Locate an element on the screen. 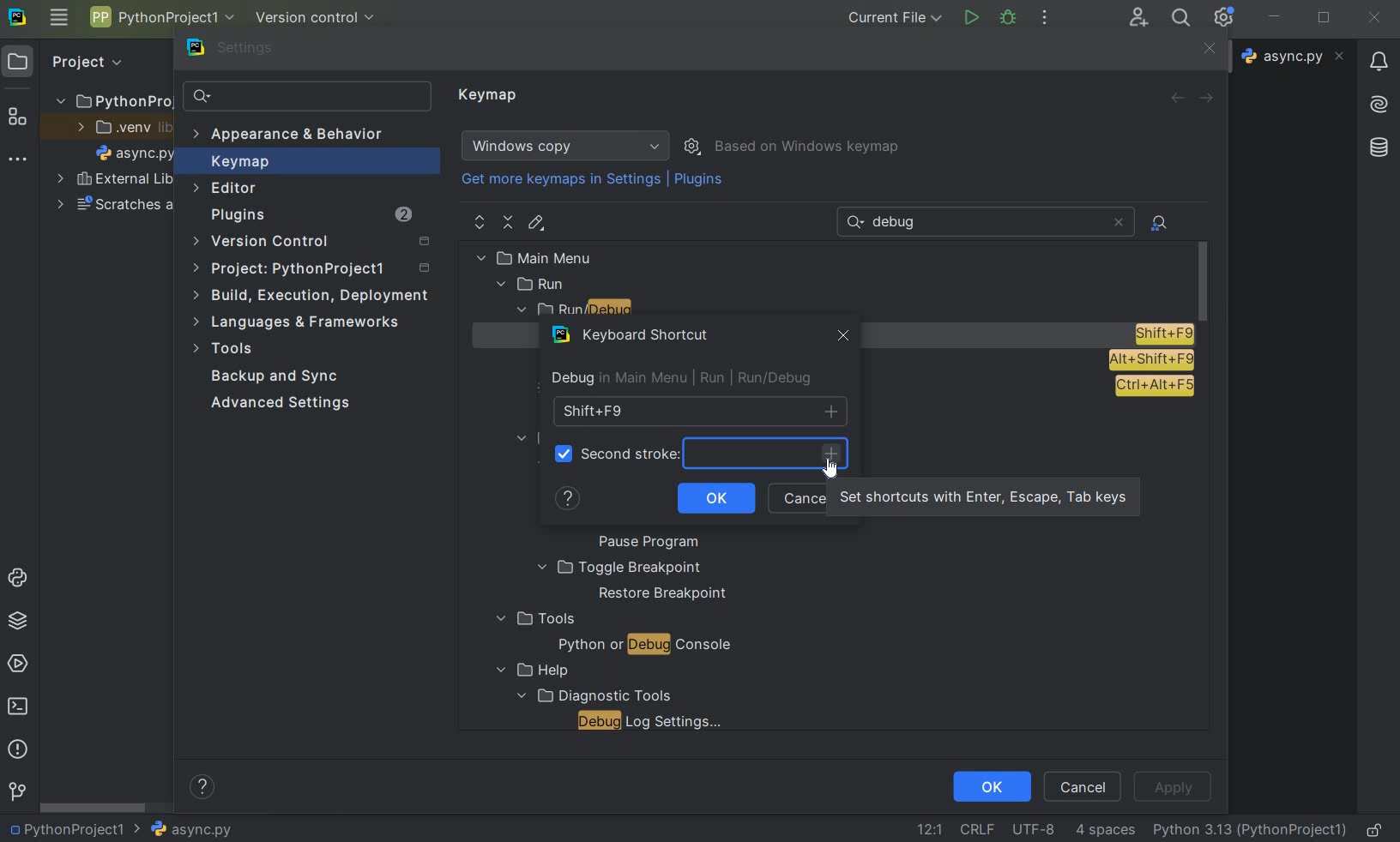 The width and height of the screenshot is (1400, 842). run/debug is located at coordinates (609, 311).